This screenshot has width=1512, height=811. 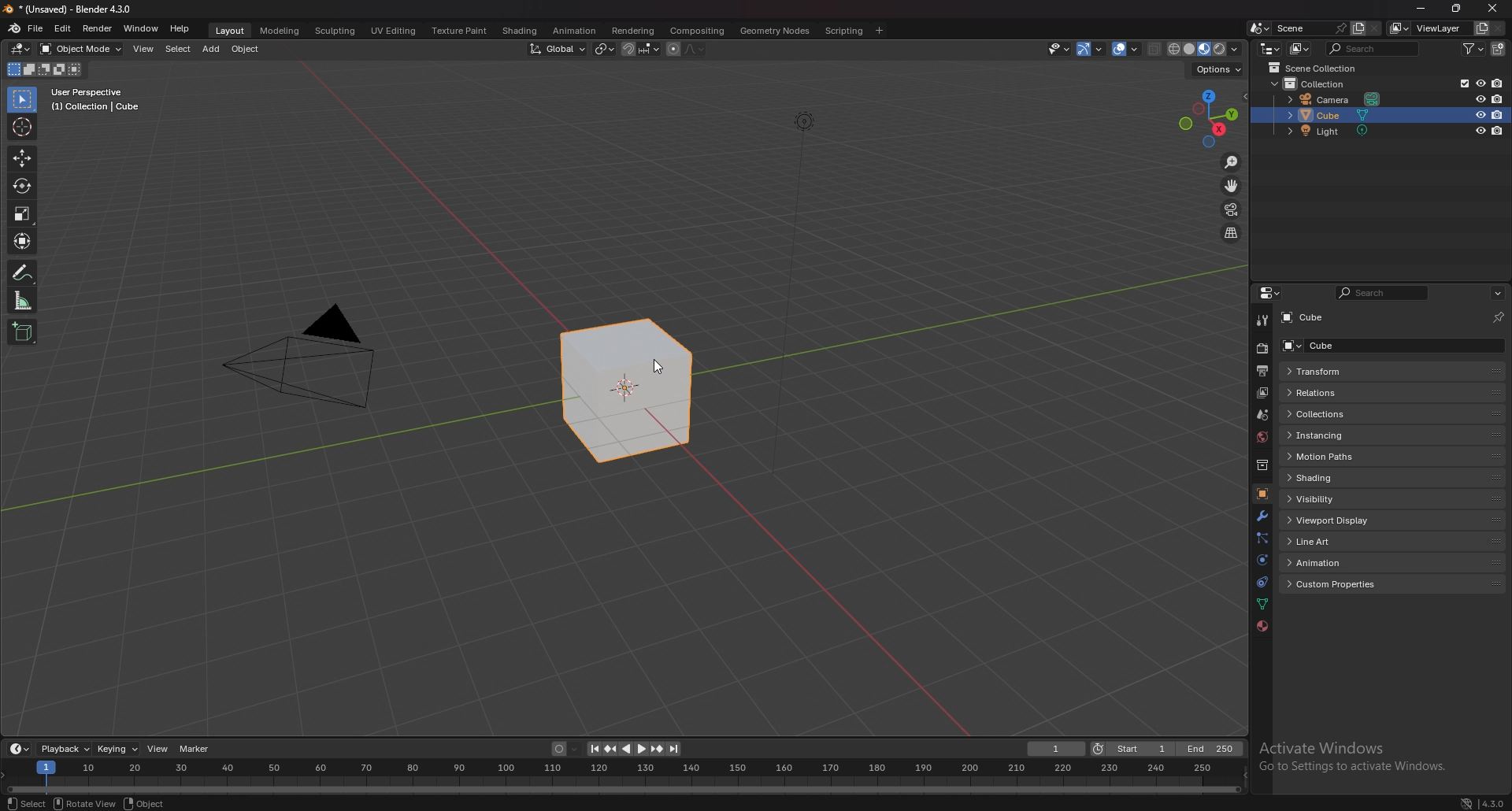 I want to click on search, so click(x=1369, y=49).